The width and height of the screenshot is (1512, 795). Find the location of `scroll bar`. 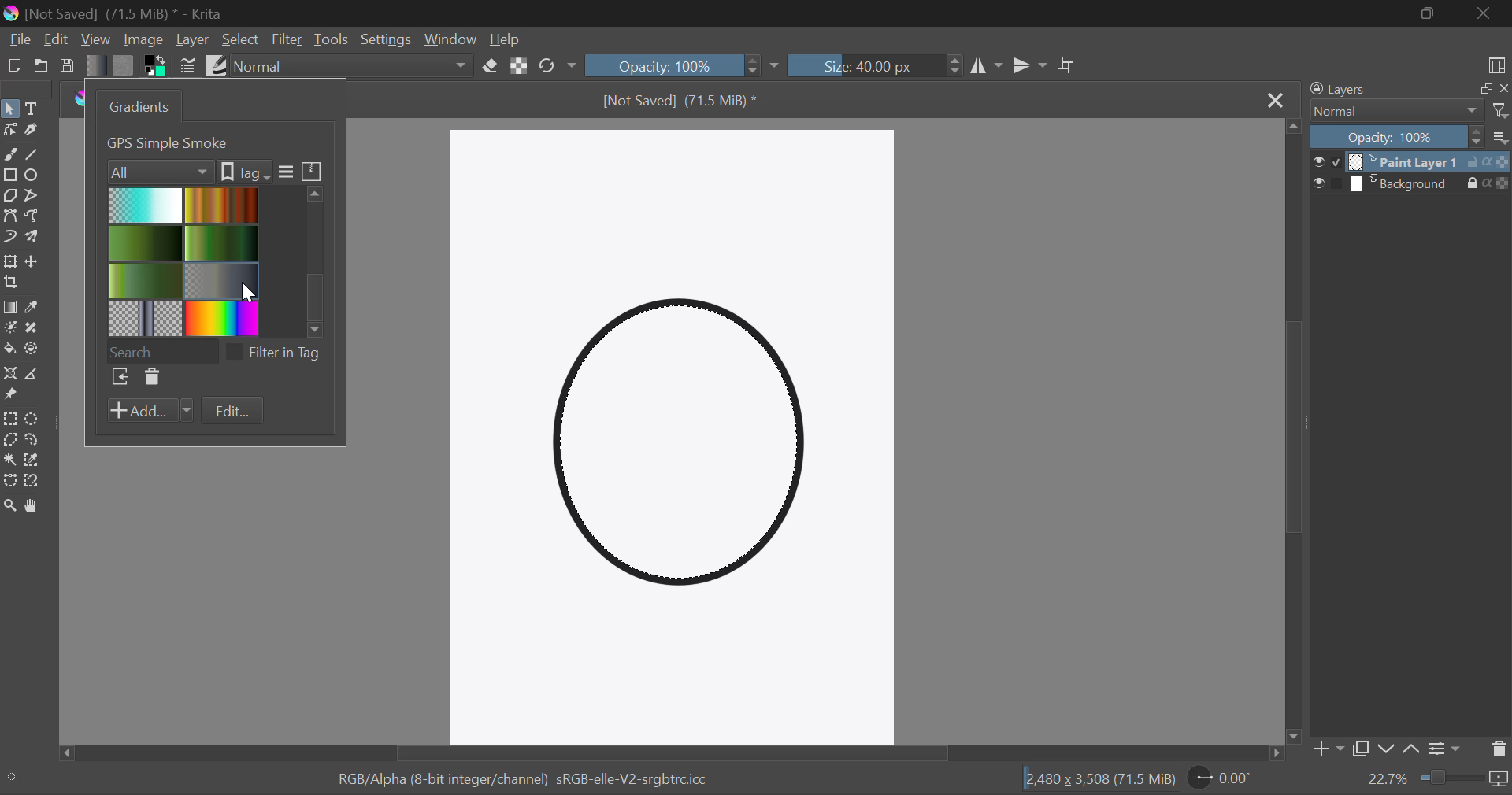

scroll bar is located at coordinates (317, 263).